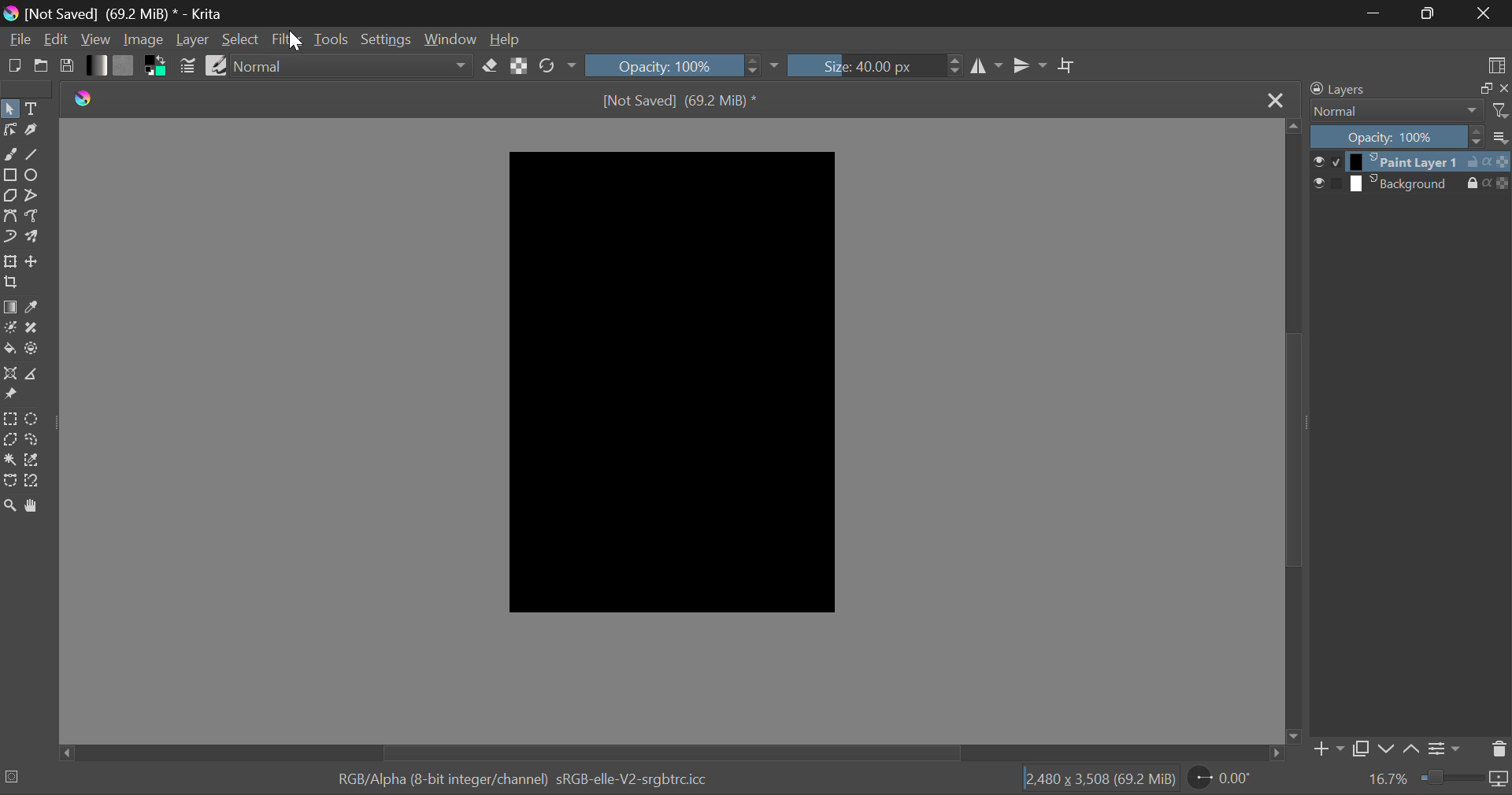 The image size is (1512, 795). Describe the element at coordinates (11, 505) in the screenshot. I see `Zoom` at that location.